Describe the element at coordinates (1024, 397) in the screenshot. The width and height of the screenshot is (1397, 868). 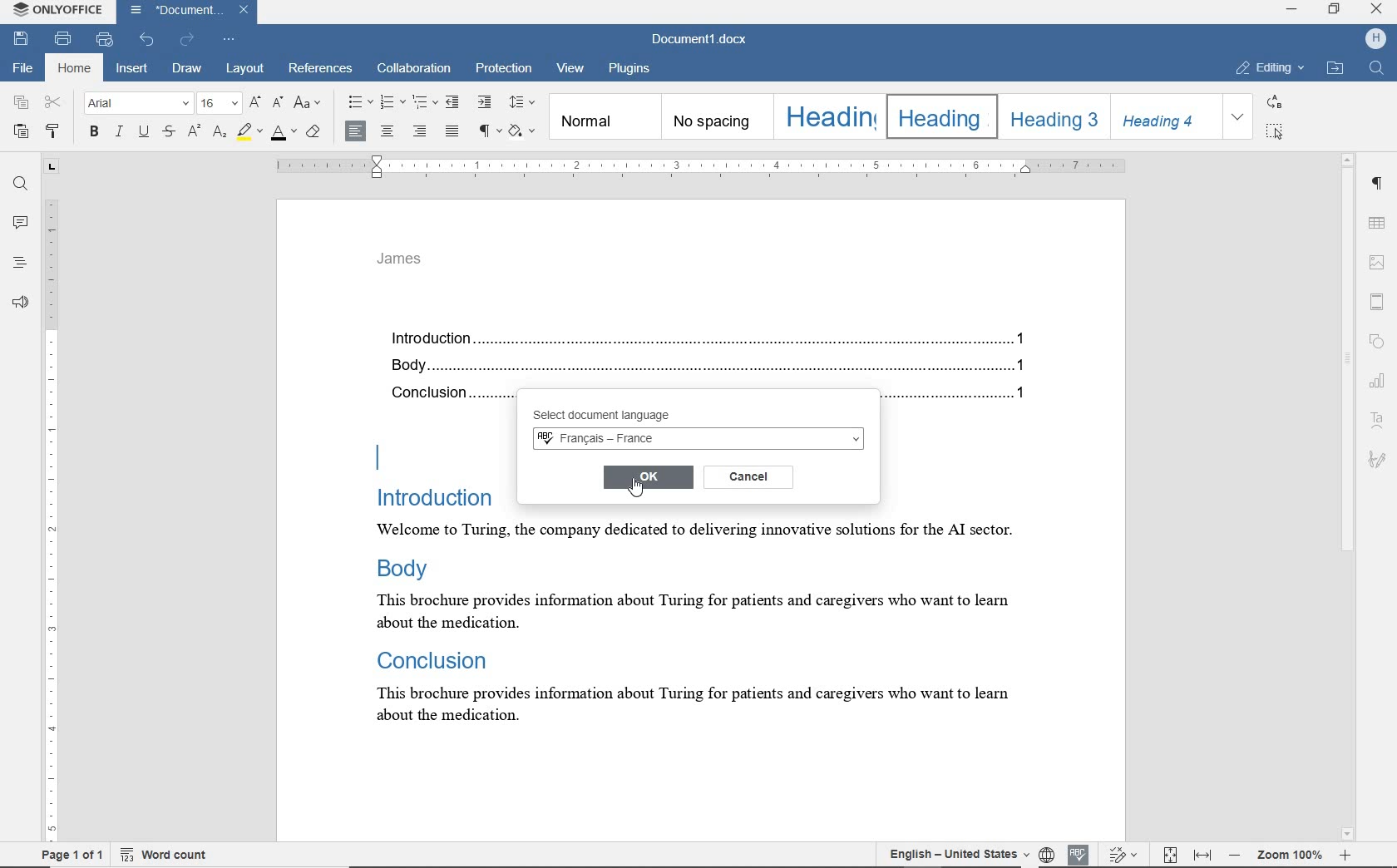
I see `1` at that location.